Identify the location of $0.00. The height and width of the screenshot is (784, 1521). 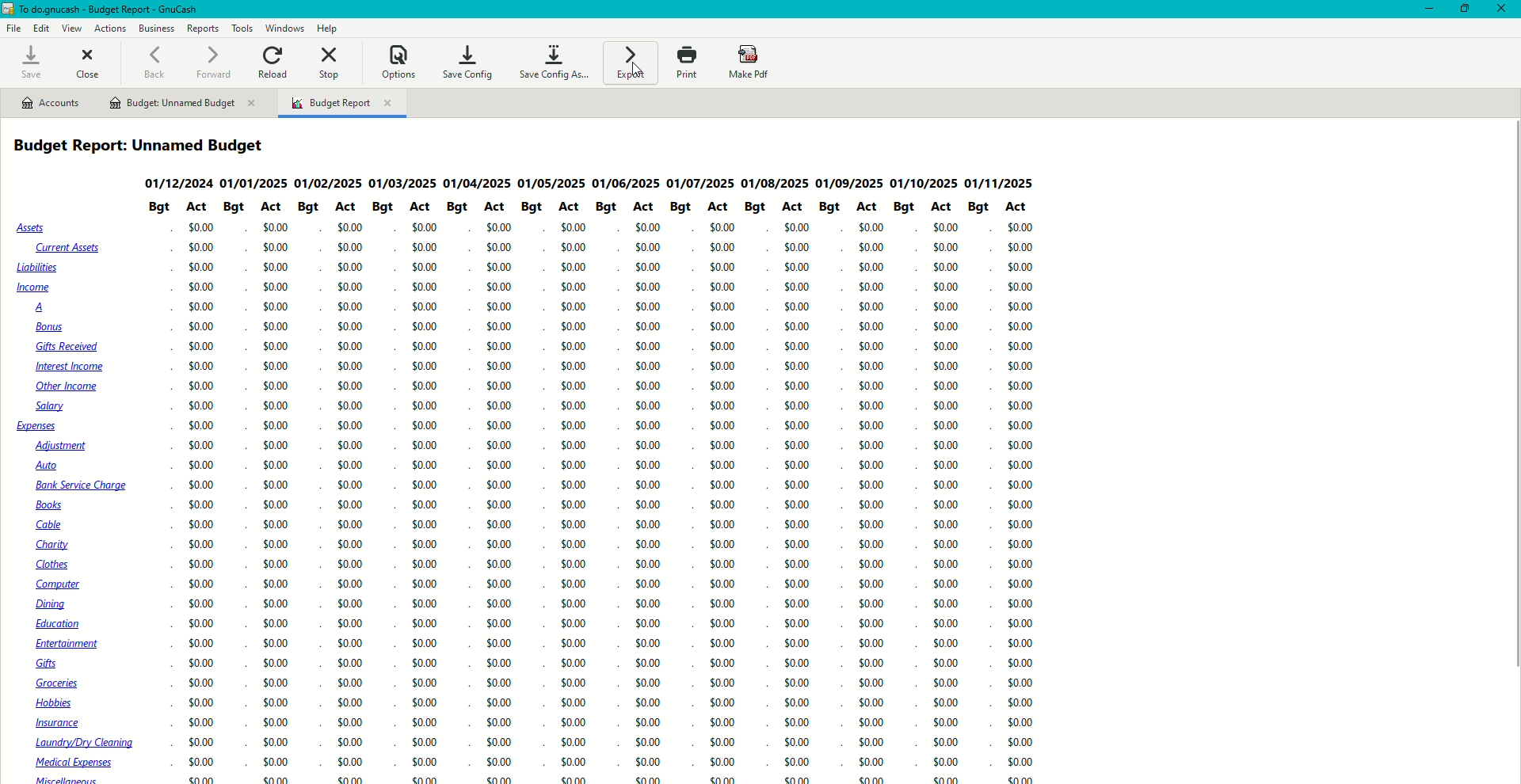
(201, 567).